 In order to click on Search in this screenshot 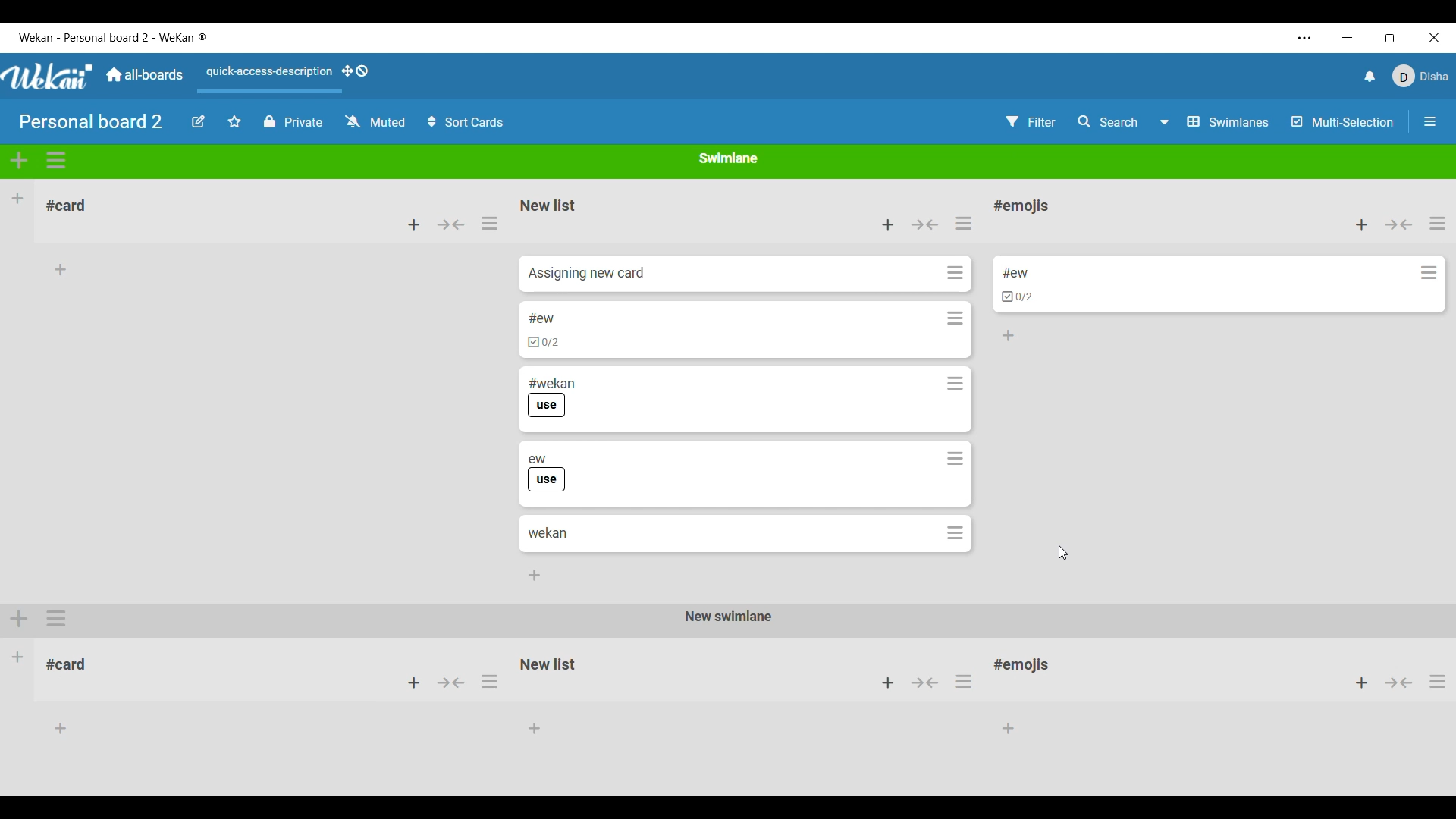, I will do `click(1108, 121)`.